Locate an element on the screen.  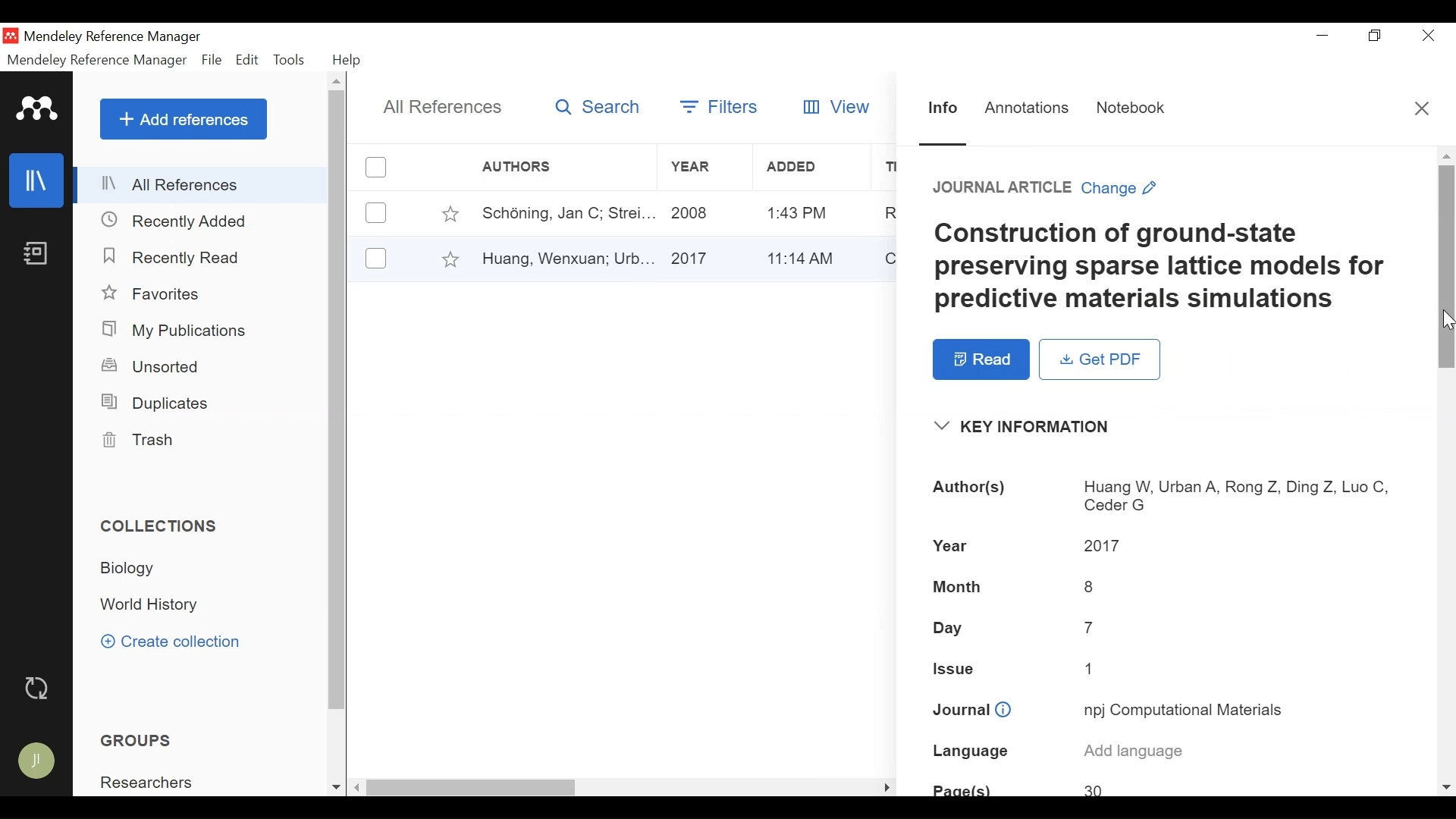
Search is located at coordinates (598, 107).